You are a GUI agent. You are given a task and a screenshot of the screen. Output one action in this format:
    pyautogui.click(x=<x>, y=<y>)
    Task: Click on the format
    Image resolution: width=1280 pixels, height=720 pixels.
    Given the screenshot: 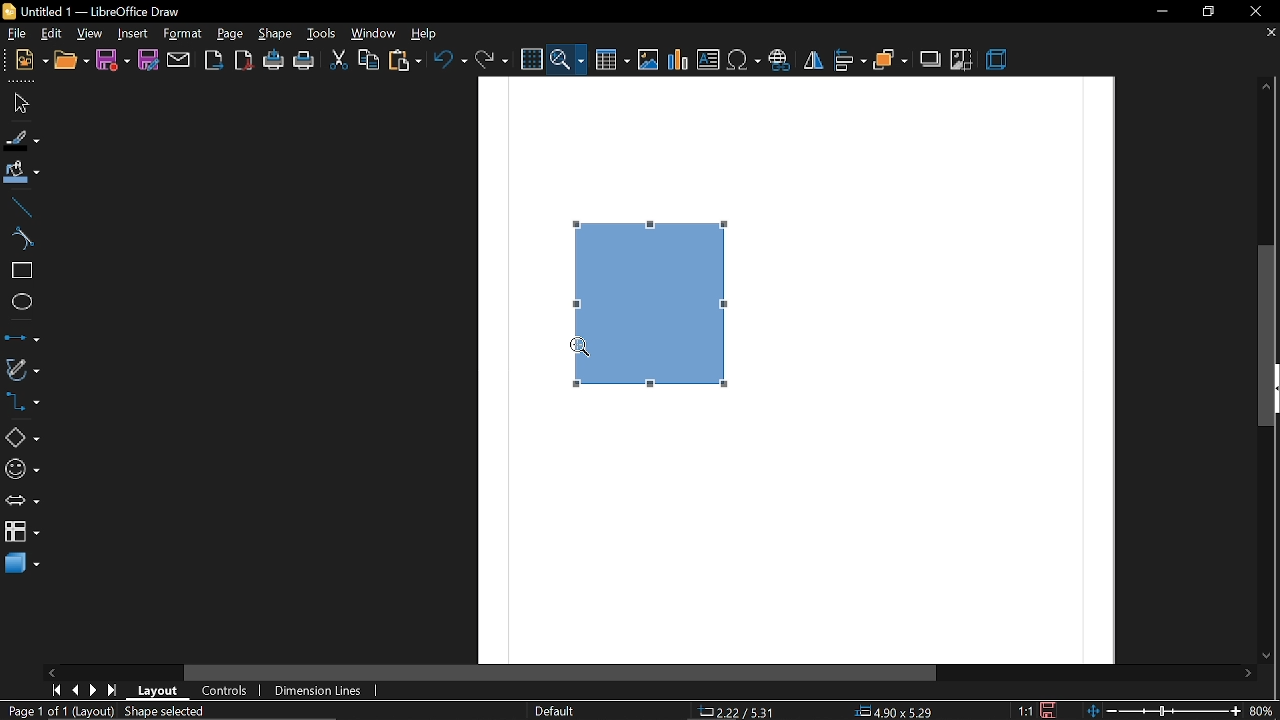 What is the action you would take?
    pyautogui.click(x=182, y=34)
    